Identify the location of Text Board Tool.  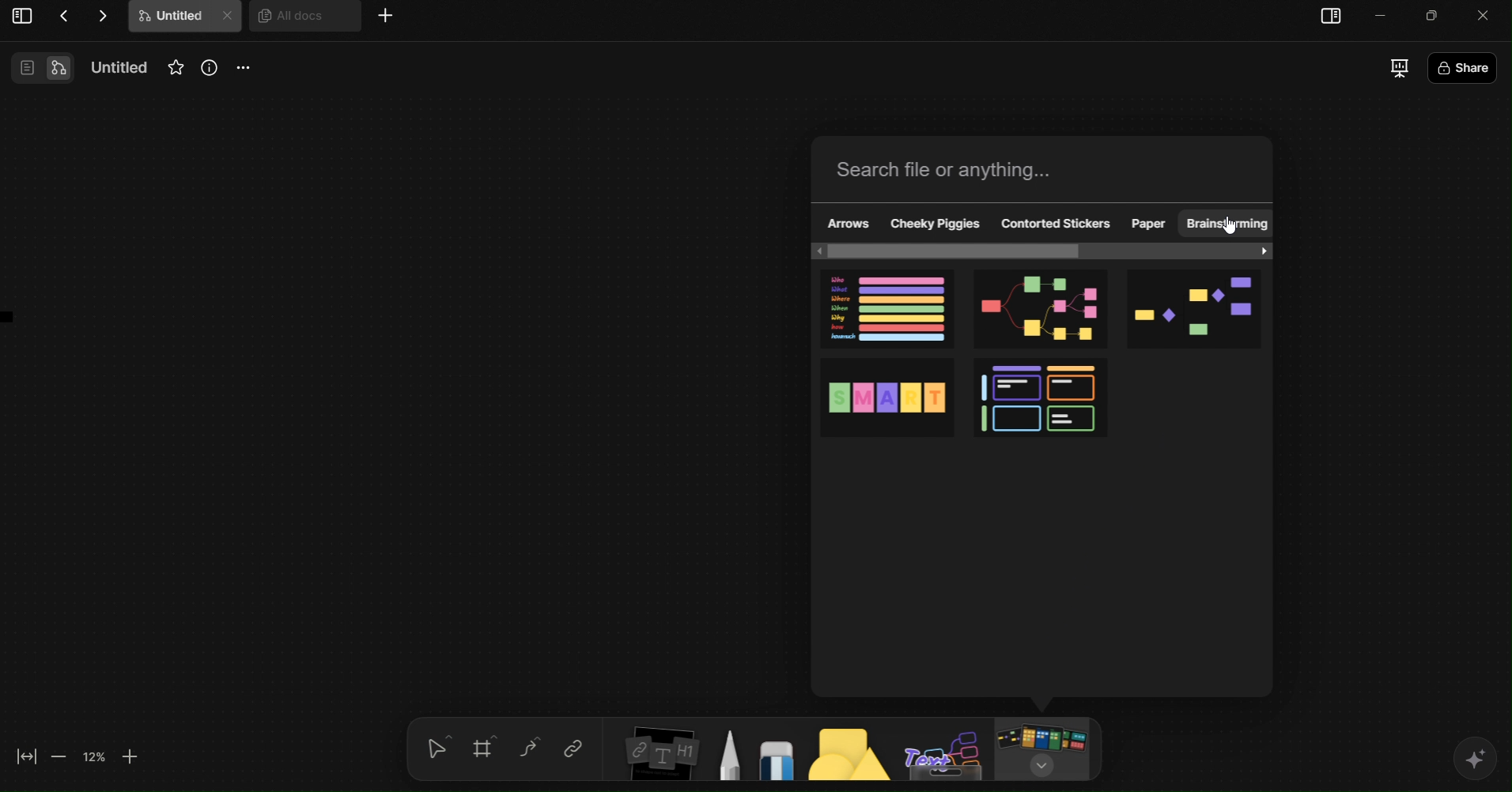
(944, 752).